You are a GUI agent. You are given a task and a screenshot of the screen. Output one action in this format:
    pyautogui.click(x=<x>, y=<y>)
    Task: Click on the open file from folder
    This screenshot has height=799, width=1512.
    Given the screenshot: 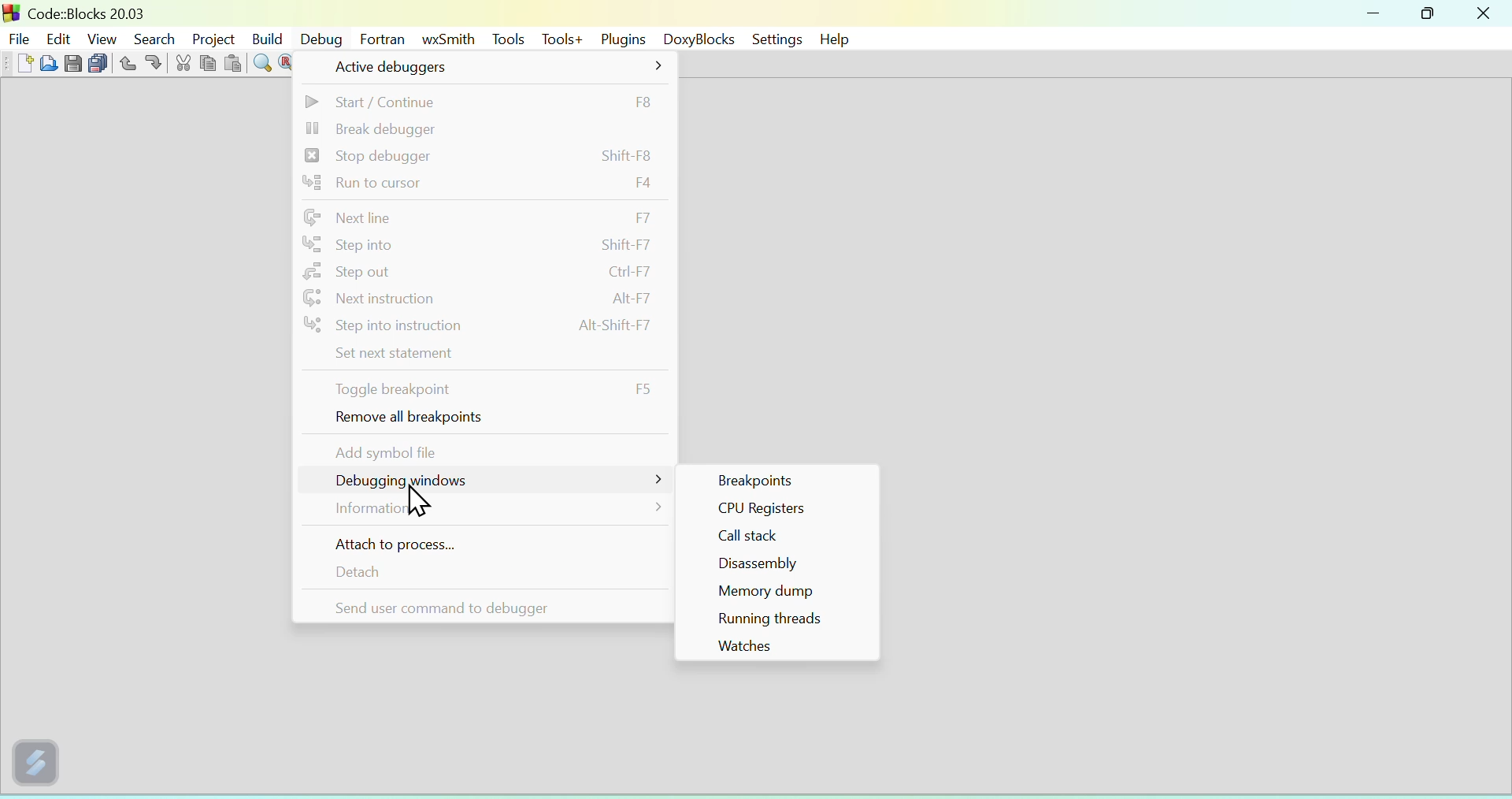 What is the action you would take?
    pyautogui.click(x=47, y=65)
    